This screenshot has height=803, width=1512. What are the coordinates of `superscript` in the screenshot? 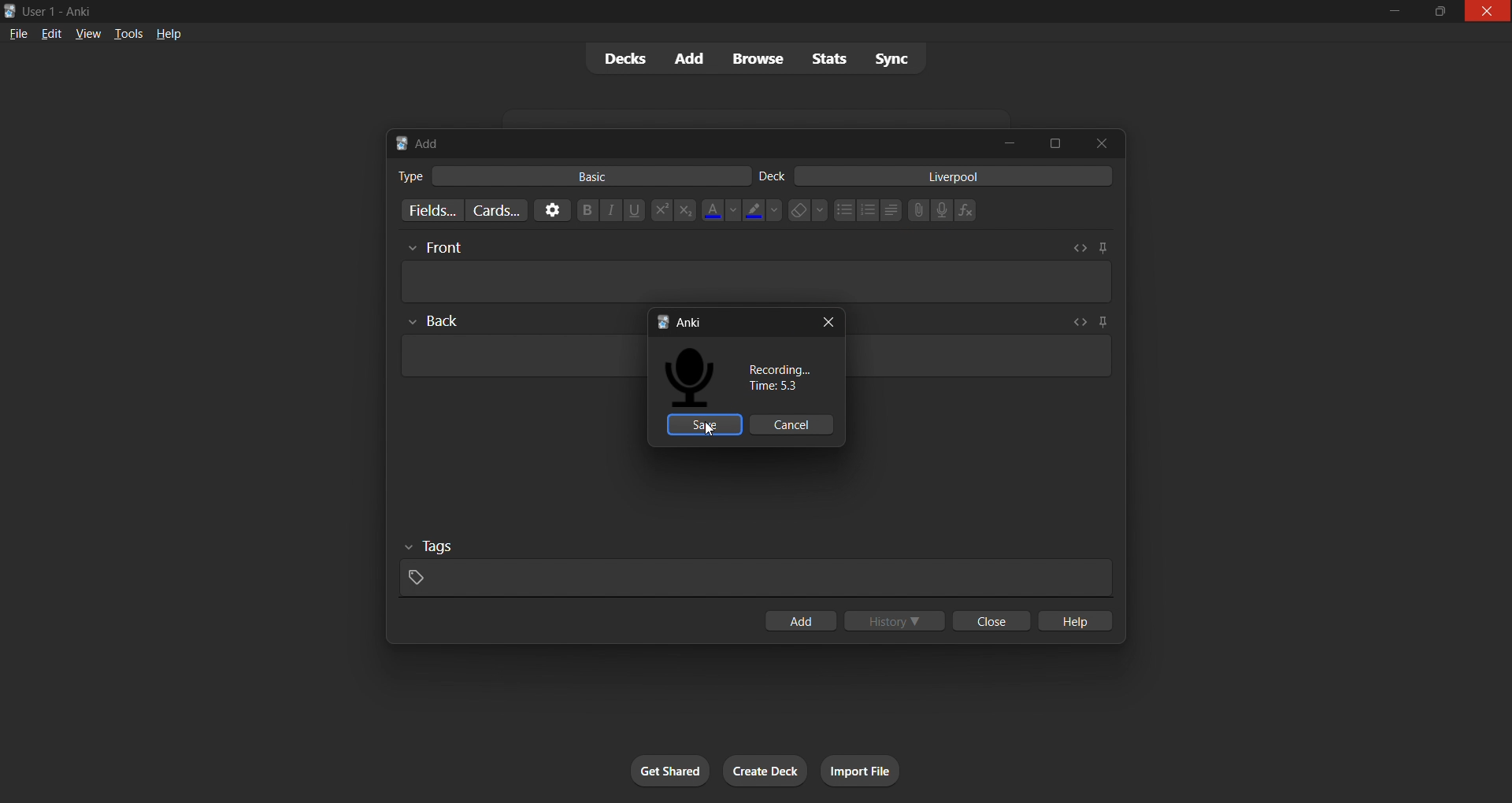 It's located at (658, 209).